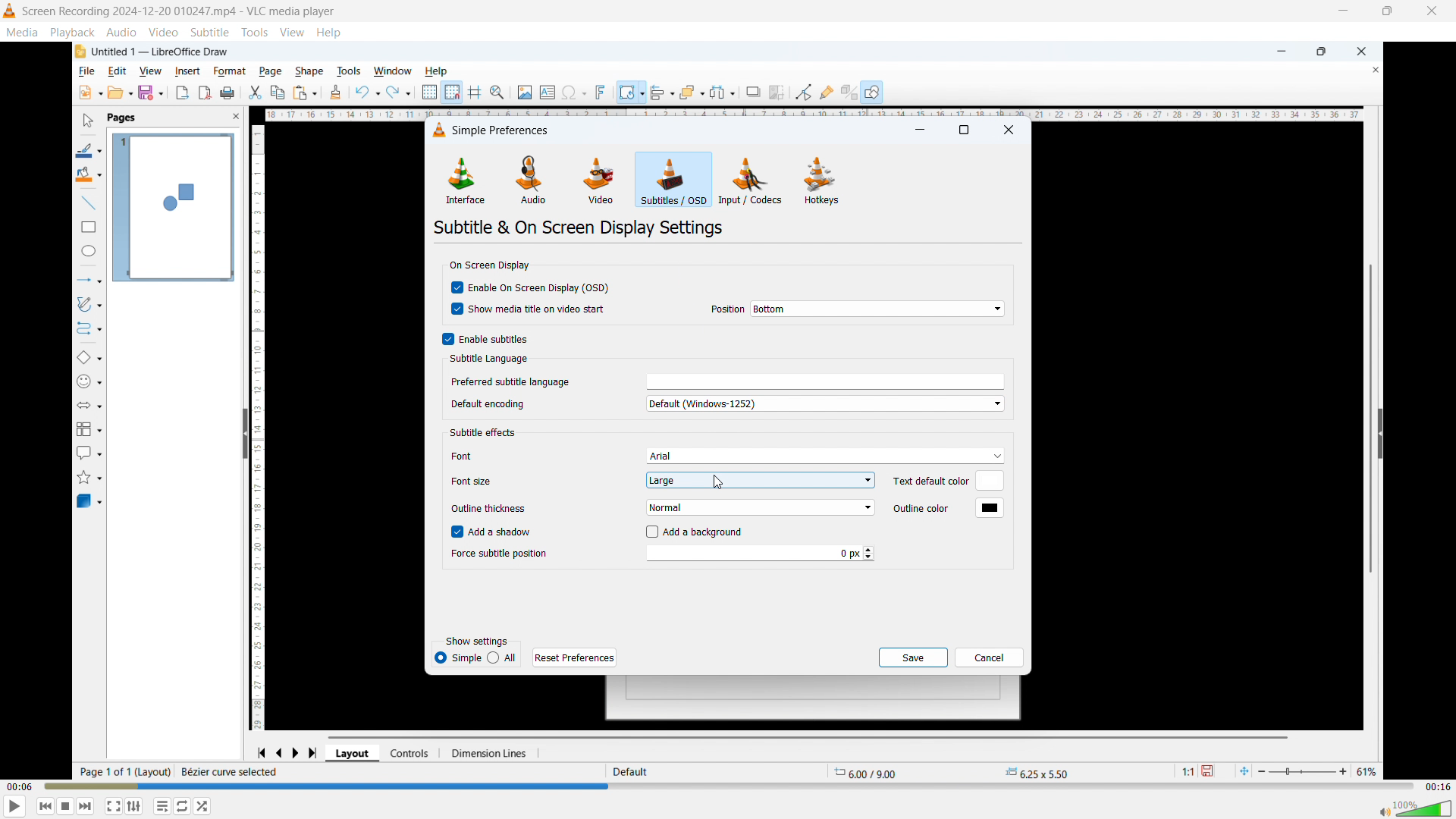 This screenshot has height=819, width=1456. I want to click on minimise , so click(920, 132).